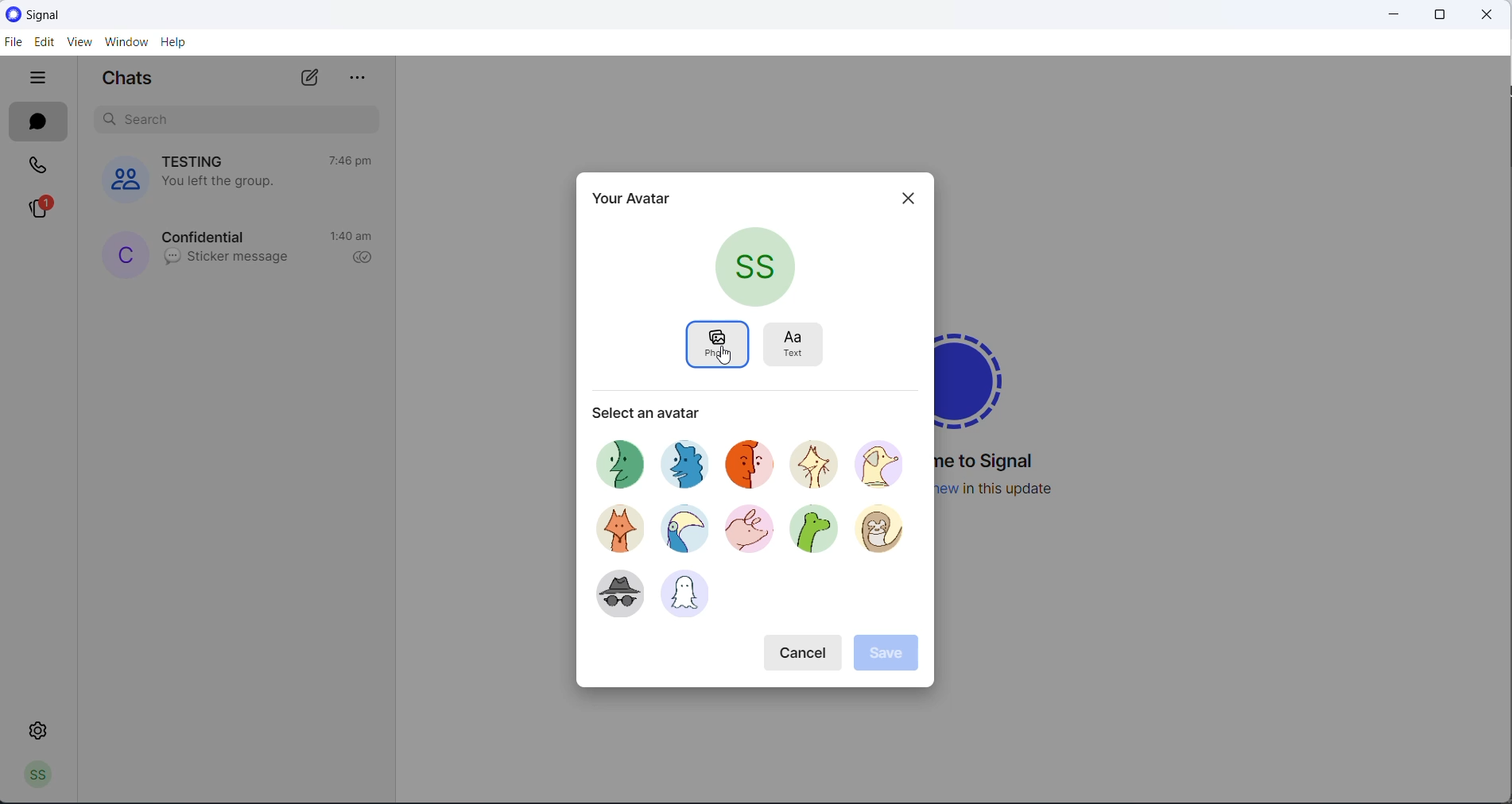  I want to click on welcome message, so click(993, 462).